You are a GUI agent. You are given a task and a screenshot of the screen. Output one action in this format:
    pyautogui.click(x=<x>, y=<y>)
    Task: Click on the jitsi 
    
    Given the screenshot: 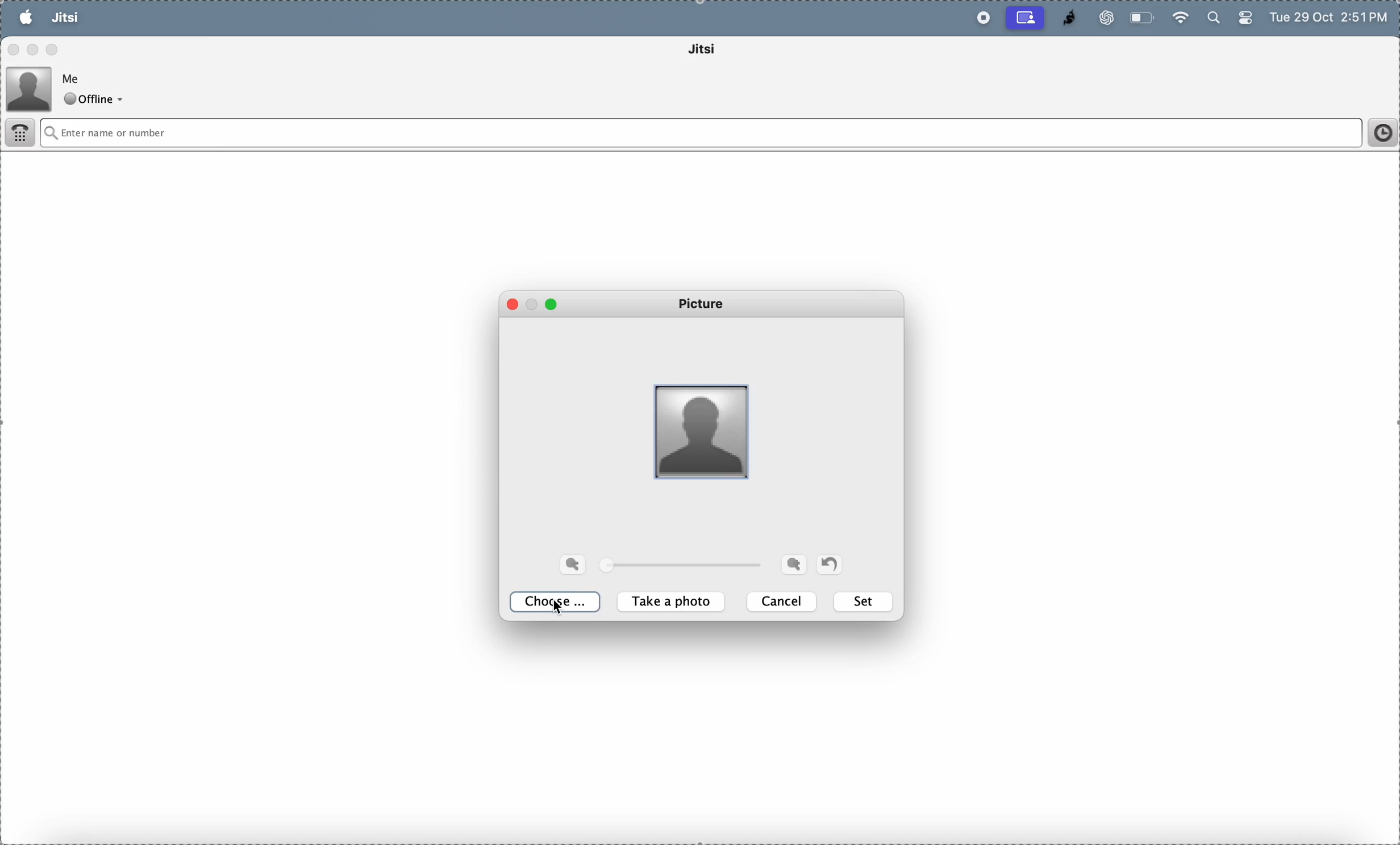 What is the action you would take?
    pyautogui.click(x=718, y=51)
    